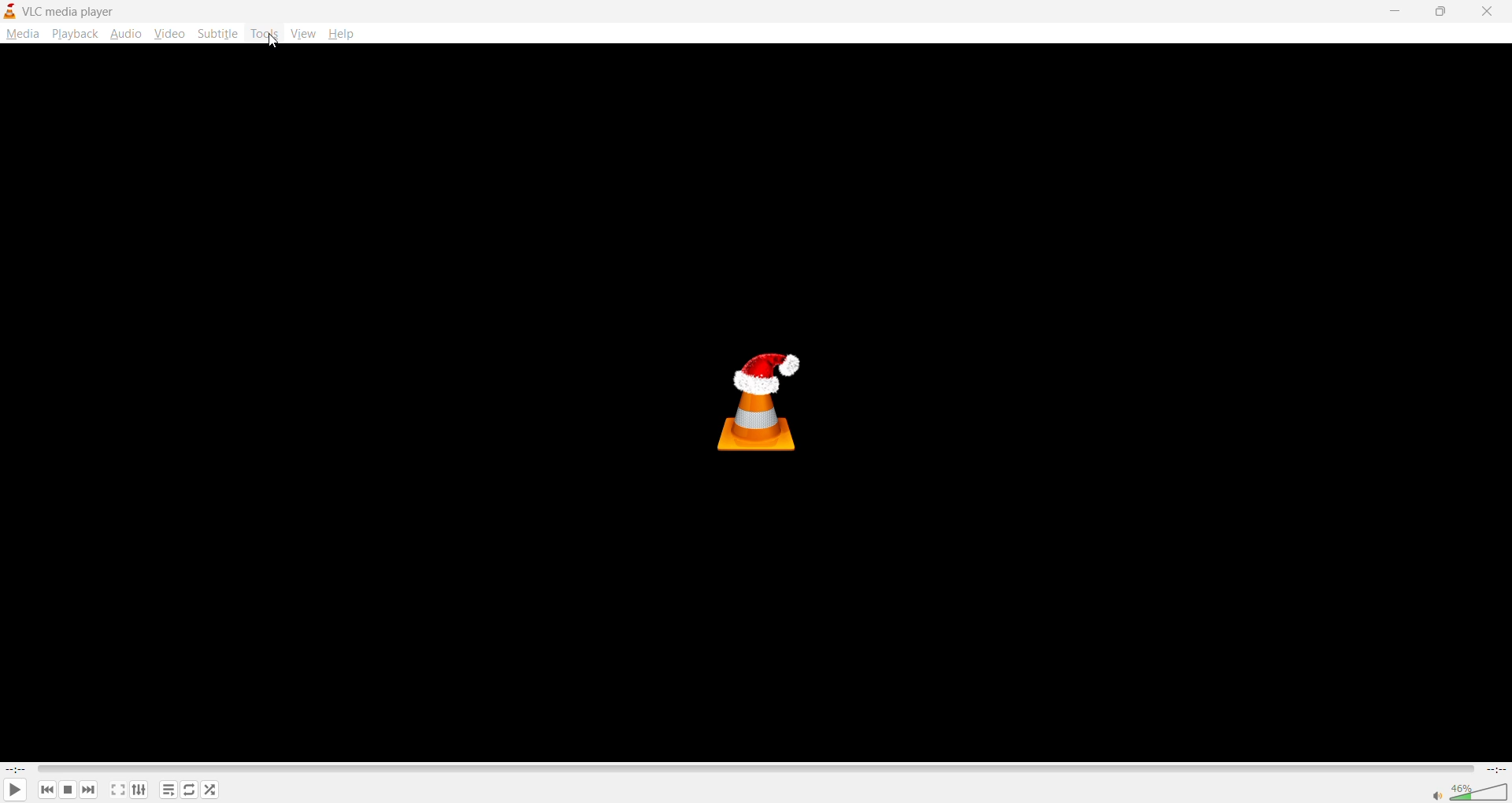 The width and height of the screenshot is (1512, 803). Describe the element at coordinates (264, 35) in the screenshot. I see `tools` at that location.